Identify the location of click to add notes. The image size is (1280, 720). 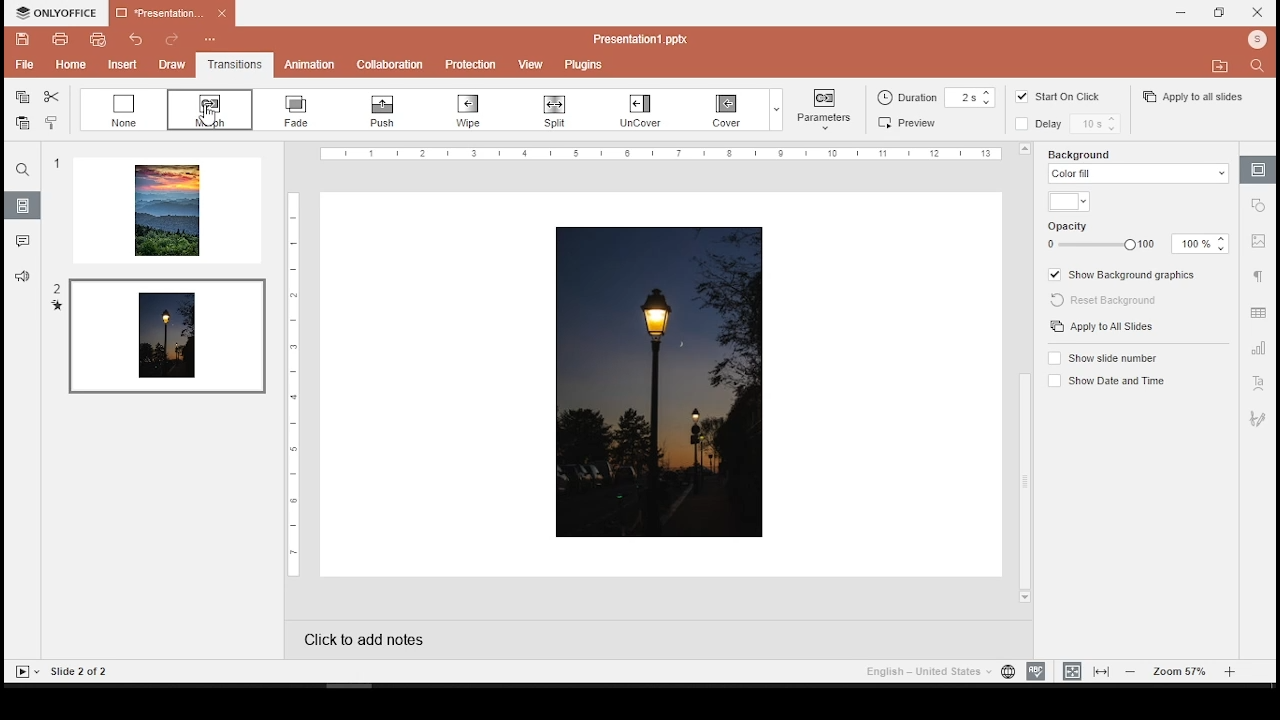
(384, 639).